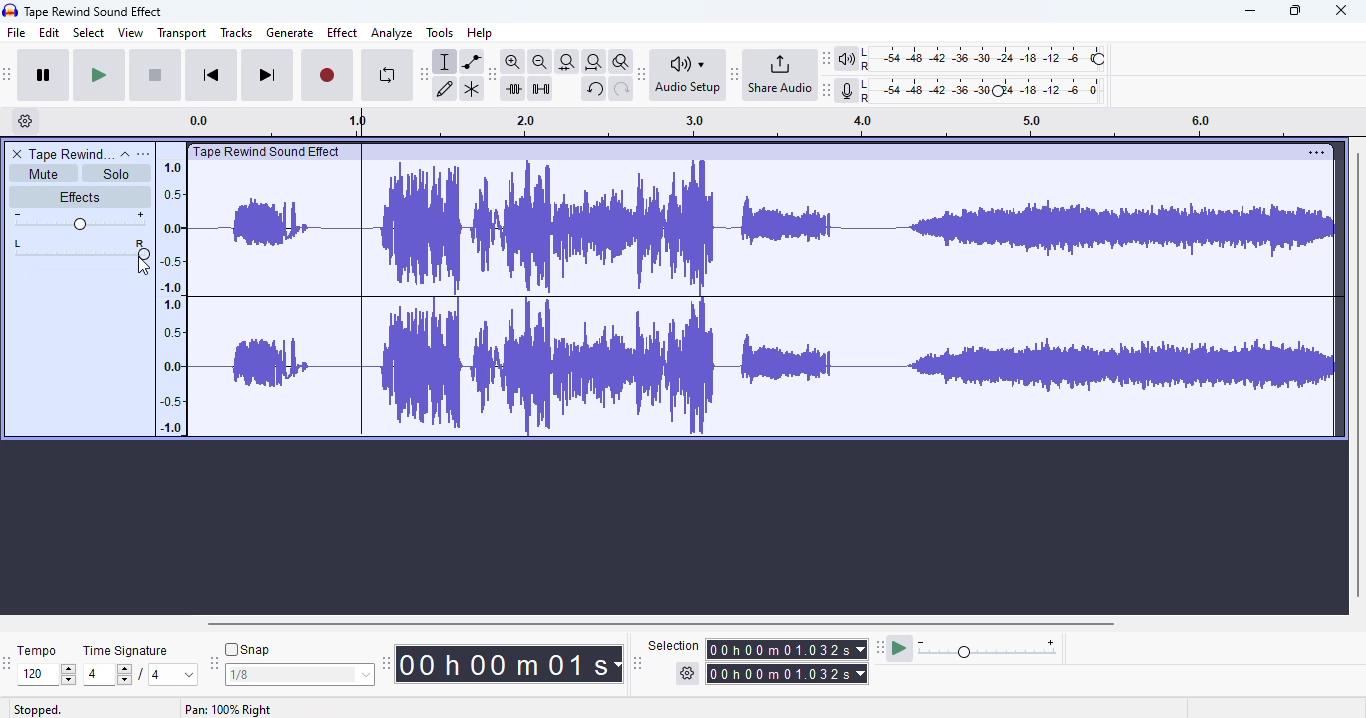 This screenshot has height=718, width=1366. Describe the element at coordinates (622, 62) in the screenshot. I see `zoom toggle shift` at that location.